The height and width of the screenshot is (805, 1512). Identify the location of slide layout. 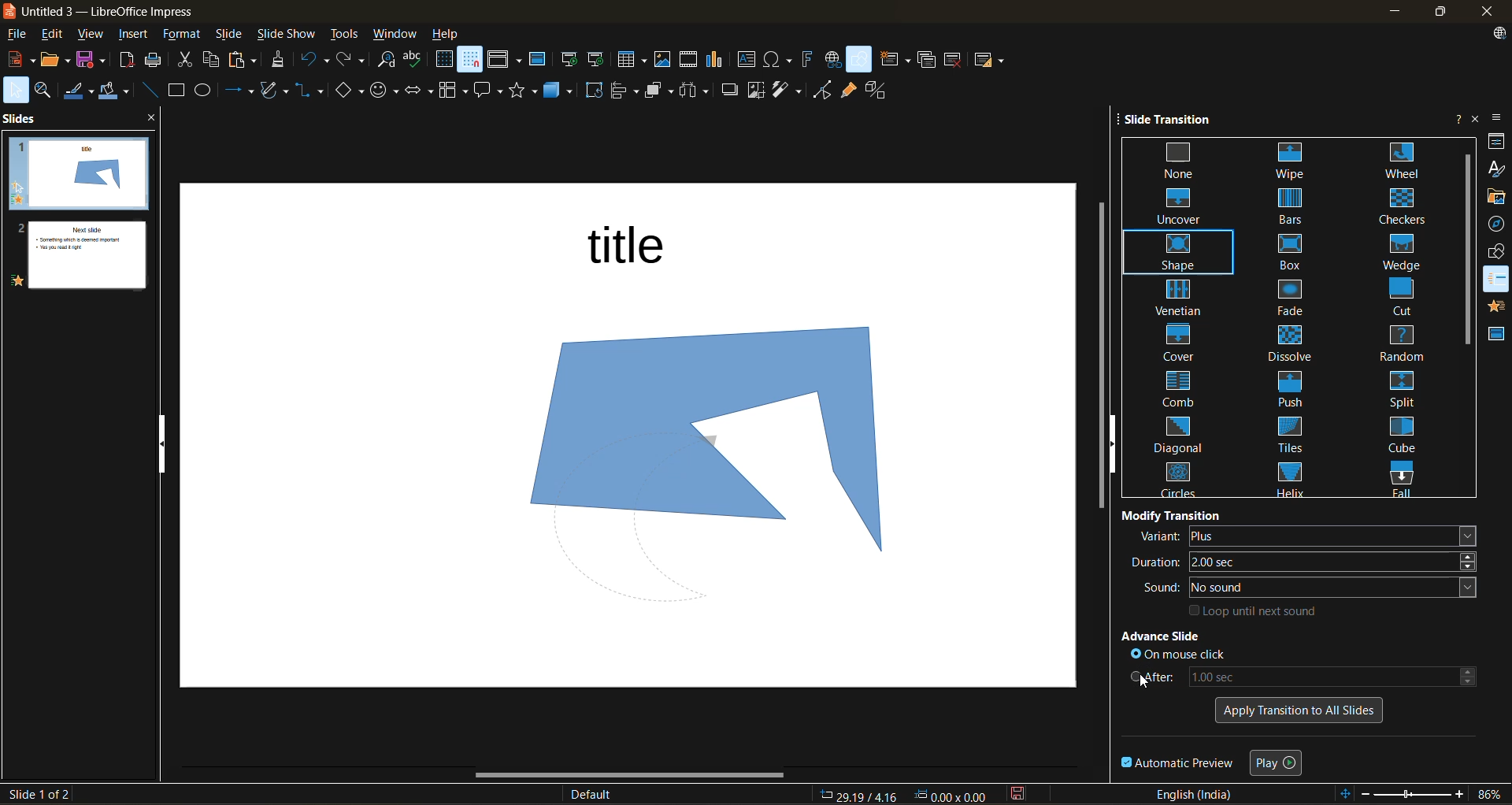
(993, 63).